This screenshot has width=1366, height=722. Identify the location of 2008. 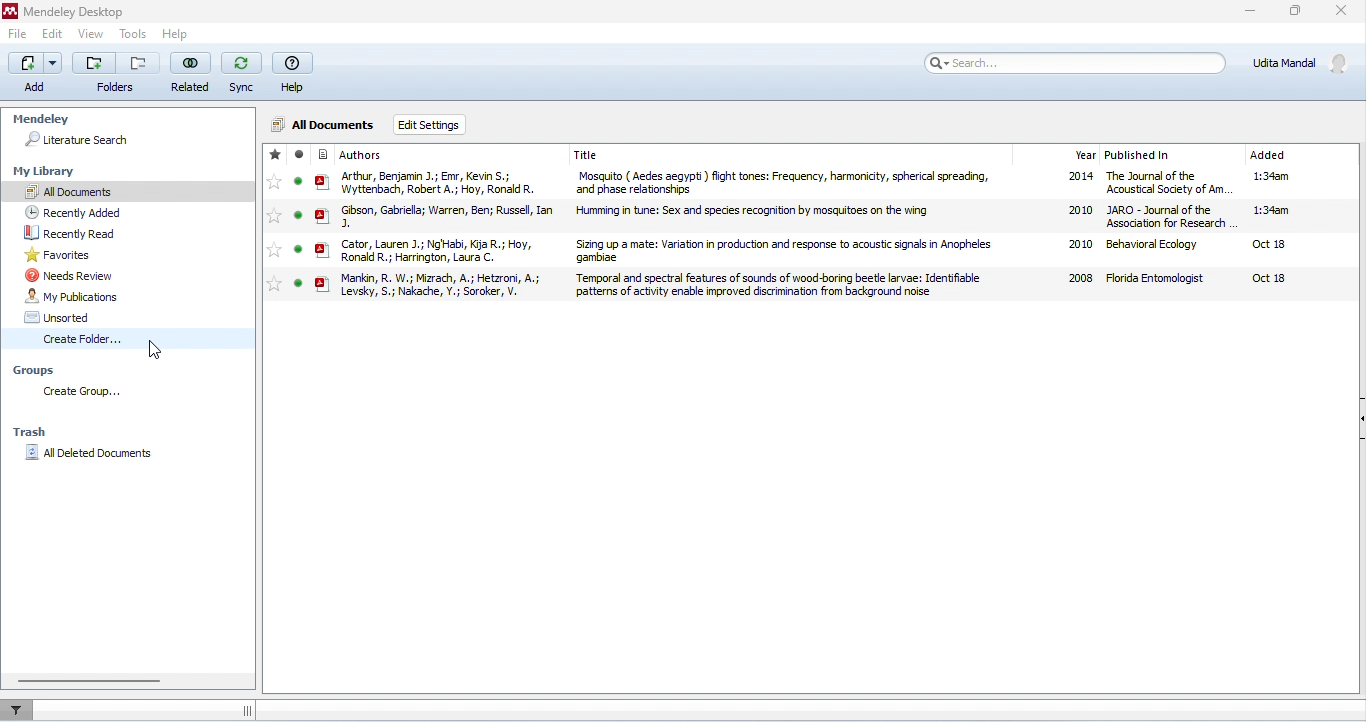
(1081, 278).